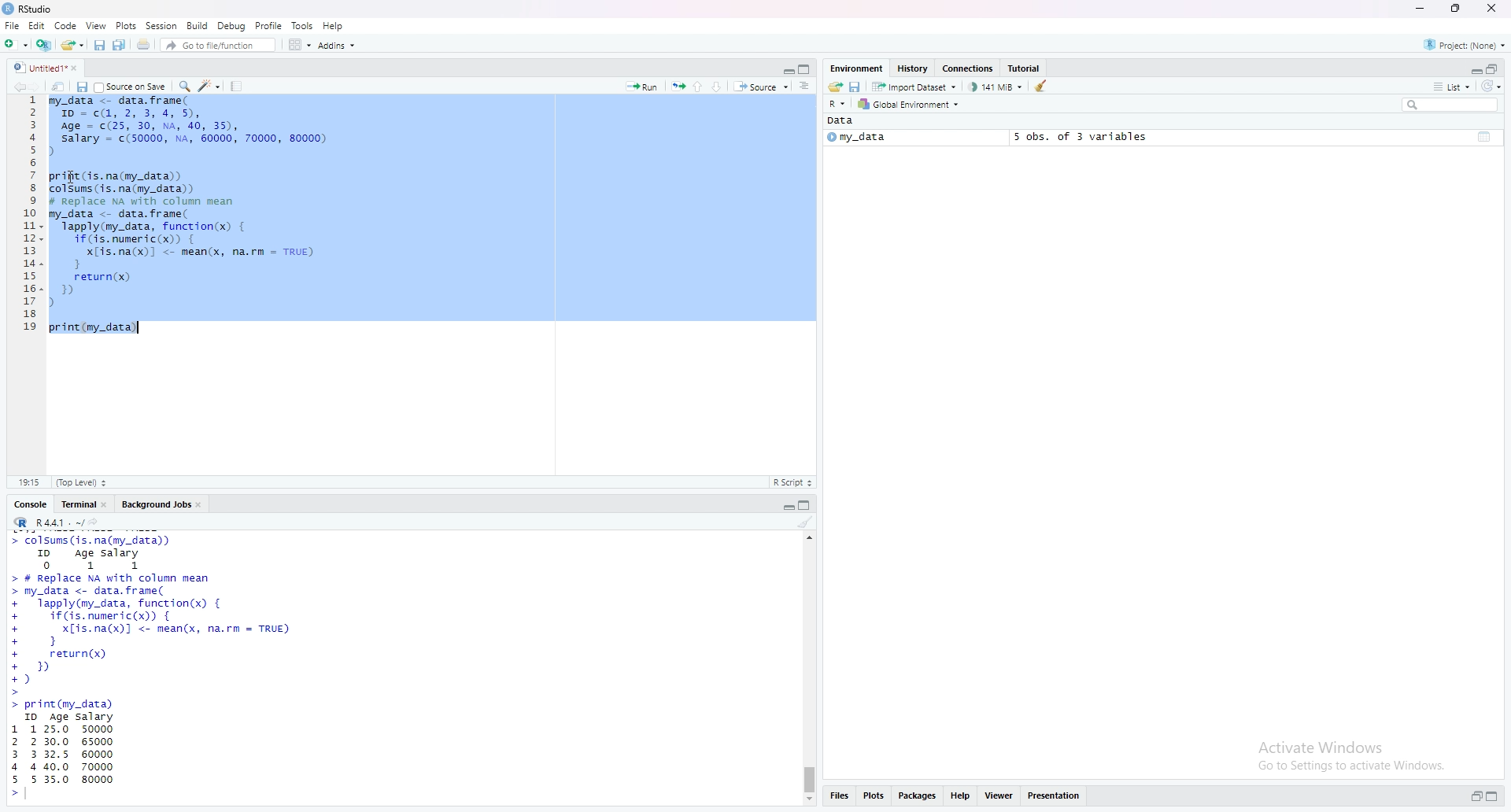 This screenshot has height=812, width=1511. What do you see at coordinates (48, 523) in the screenshot?
I see `R 4.4.1` at bounding box center [48, 523].